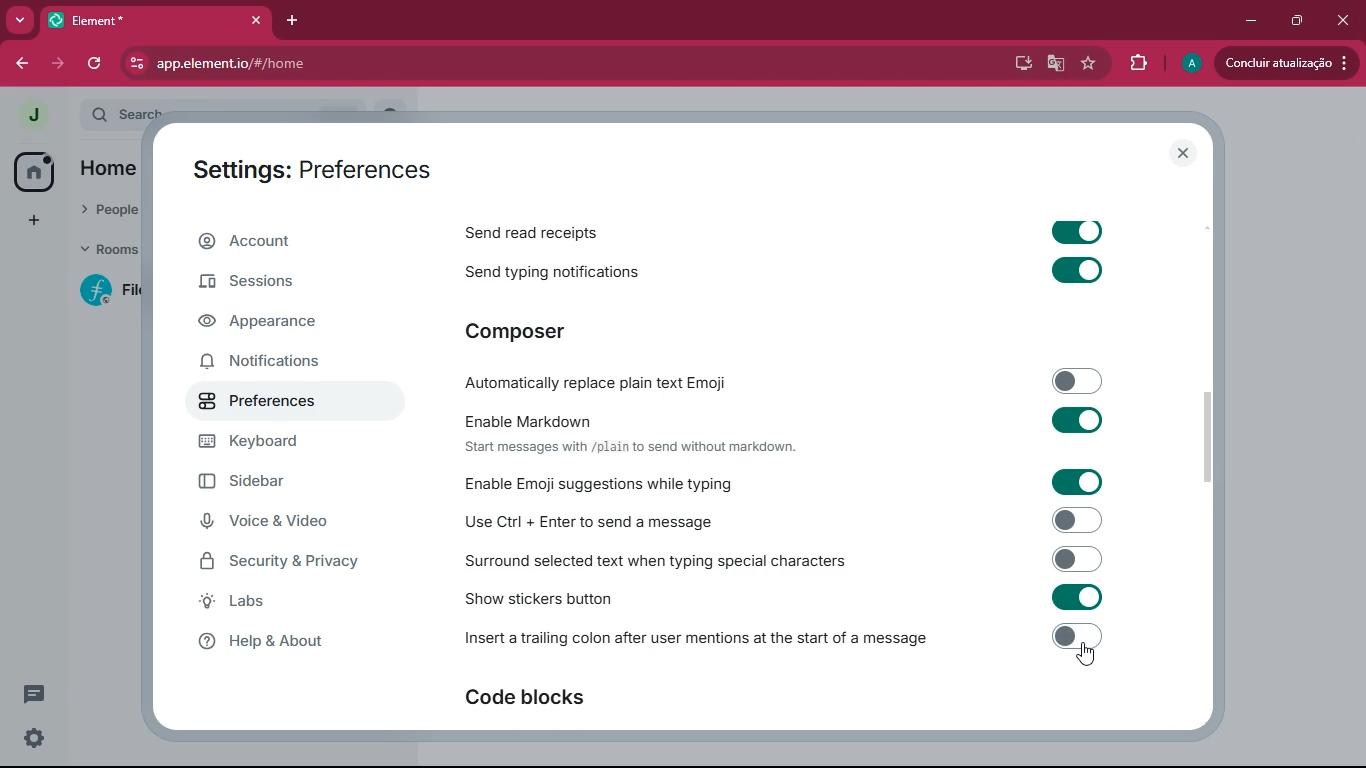 Image resolution: width=1366 pixels, height=768 pixels. Describe the element at coordinates (32, 694) in the screenshot. I see `conversation ` at that location.